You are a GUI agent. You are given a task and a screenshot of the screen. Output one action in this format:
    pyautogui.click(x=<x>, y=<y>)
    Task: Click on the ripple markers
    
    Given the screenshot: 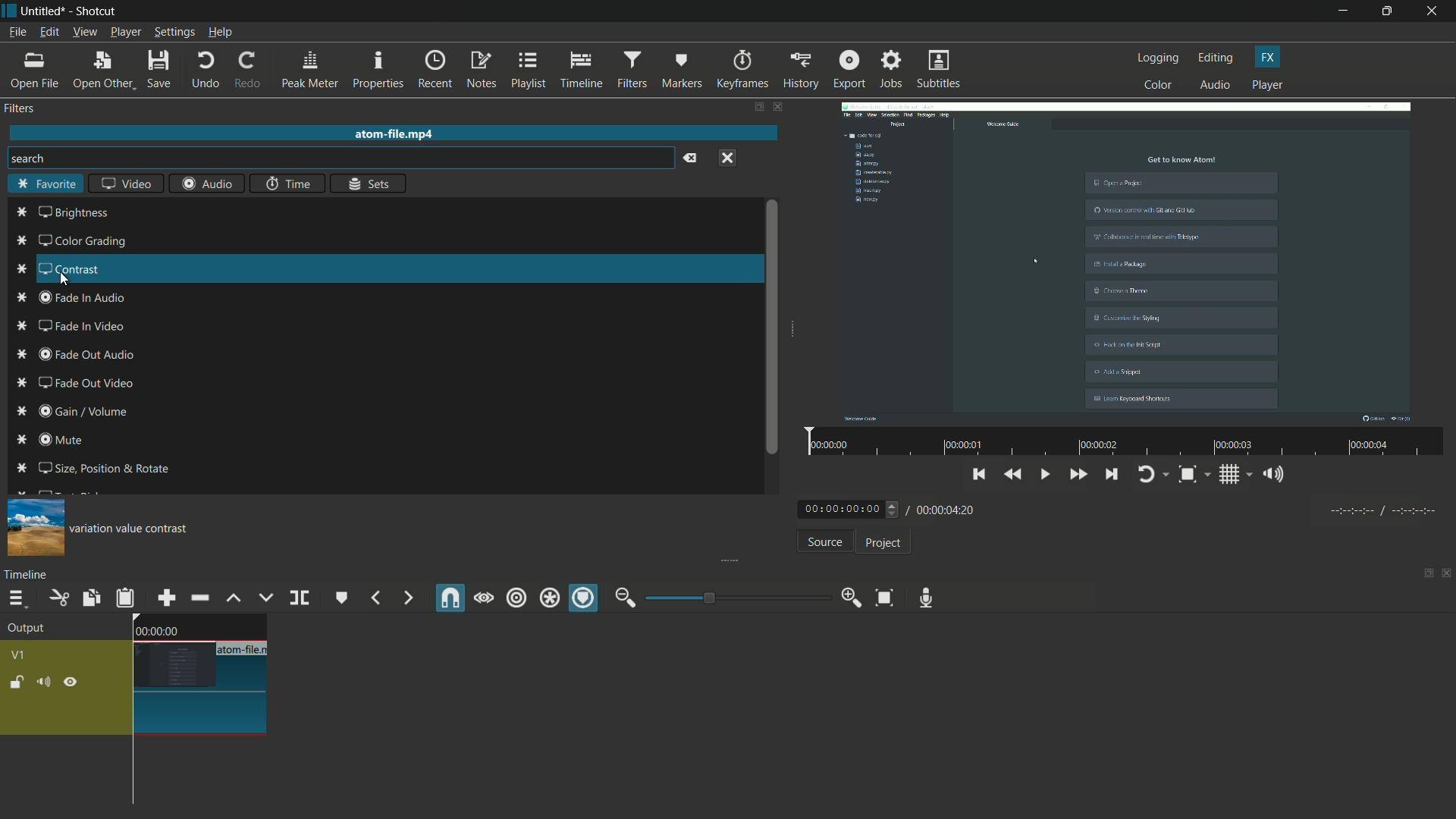 What is the action you would take?
    pyautogui.click(x=585, y=599)
    